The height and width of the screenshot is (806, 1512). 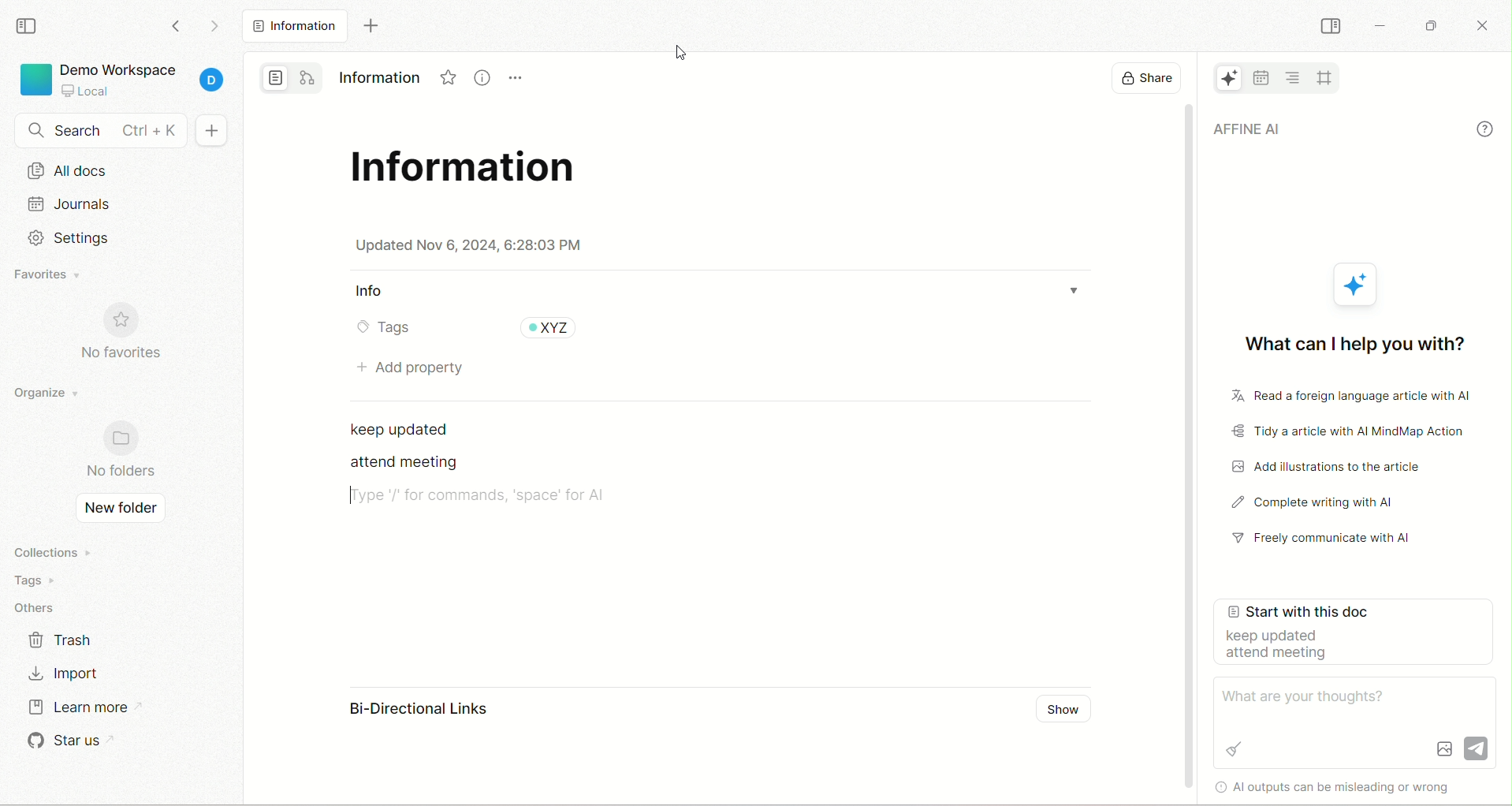 What do you see at coordinates (177, 31) in the screenshot?
I see `go back` at bounding box center [177, 31].